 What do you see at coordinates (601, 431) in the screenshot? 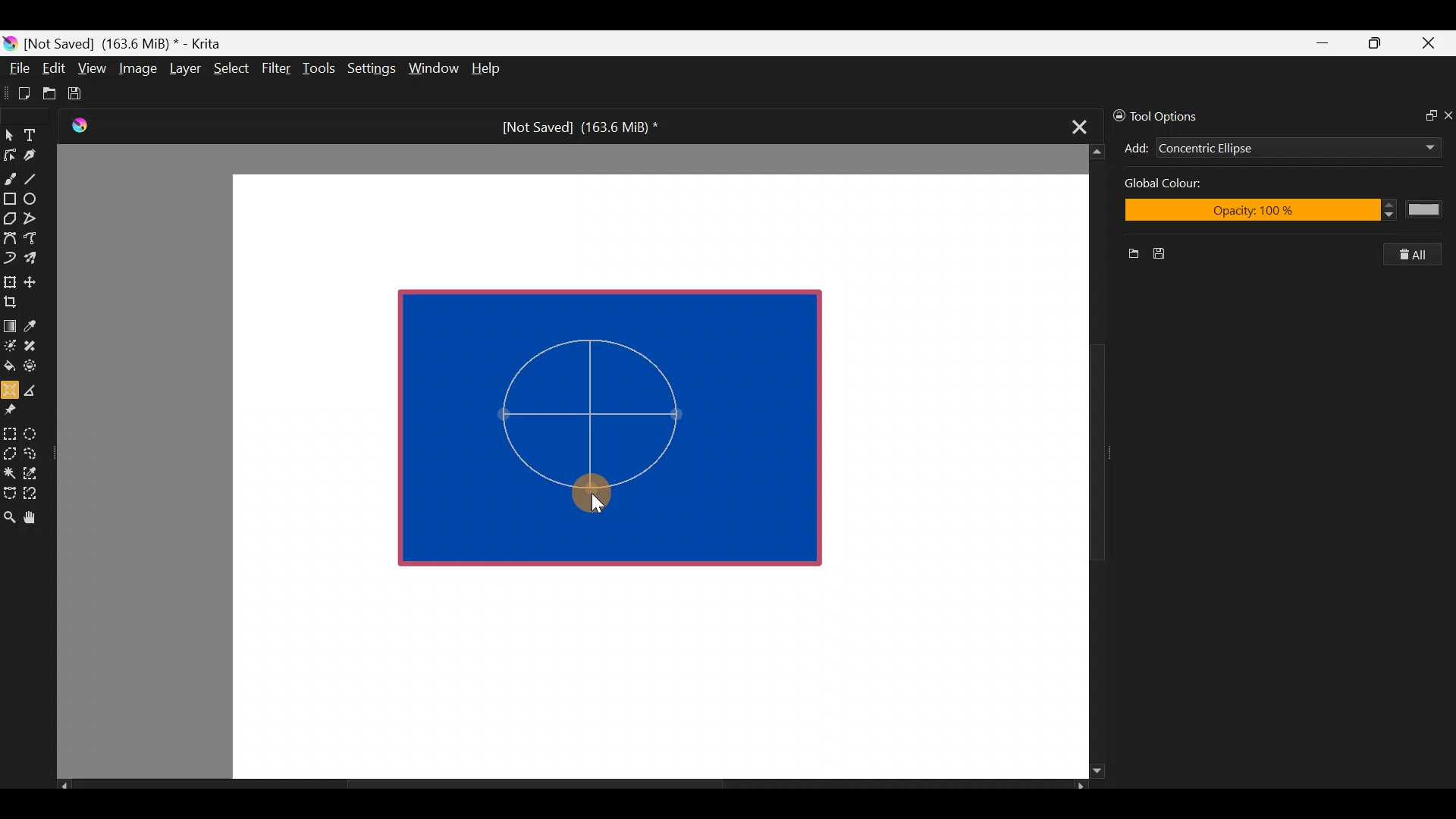
I see `Concentric circle drawn on canvas` at bounding box center [601, 431].